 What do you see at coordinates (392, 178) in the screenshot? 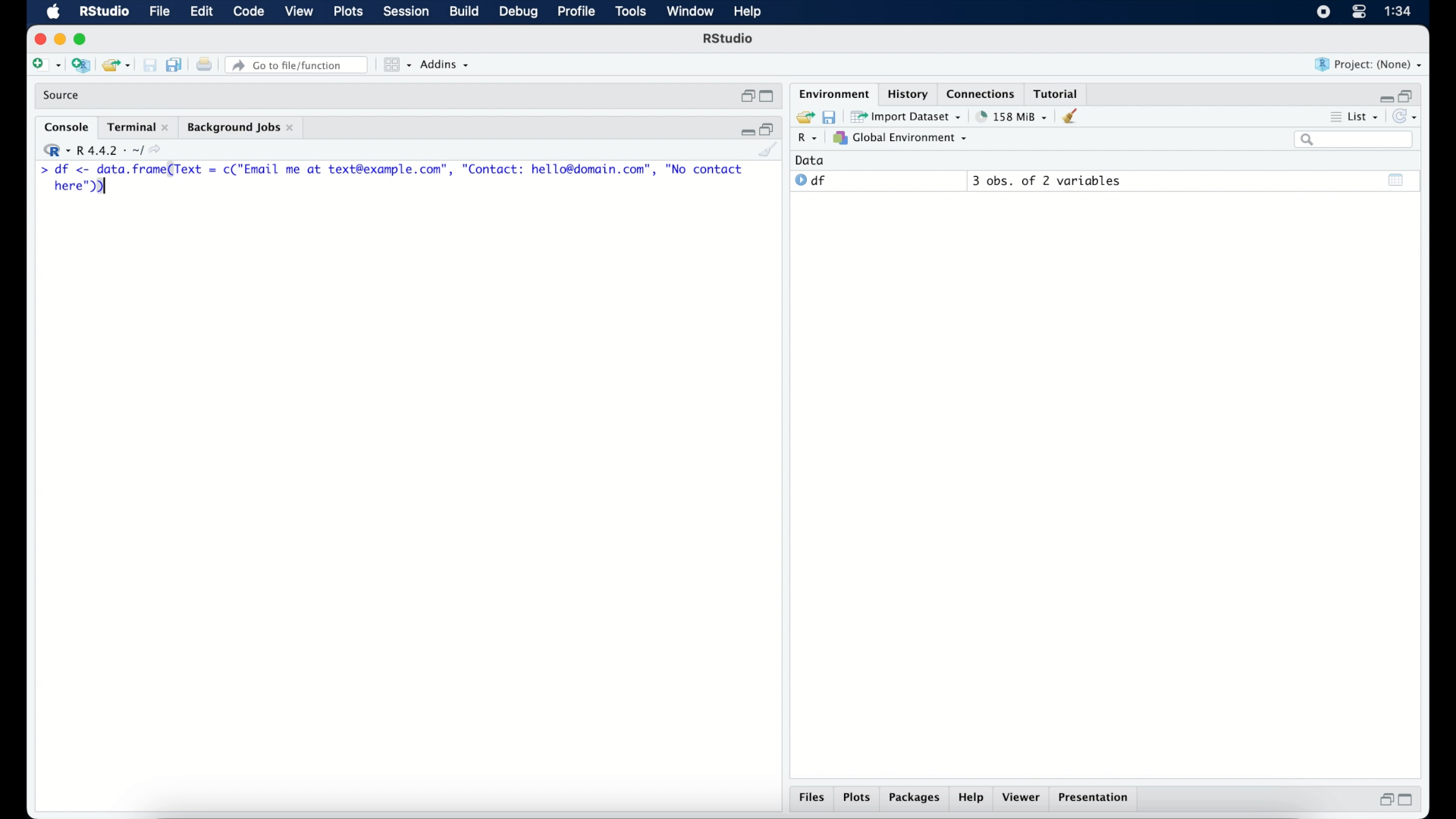
I see `> df <- Se renee = c("Email me at text@example.com”, "Contact: hello@domain.com”, "No contact
here");` at bounding box center [392, 178].